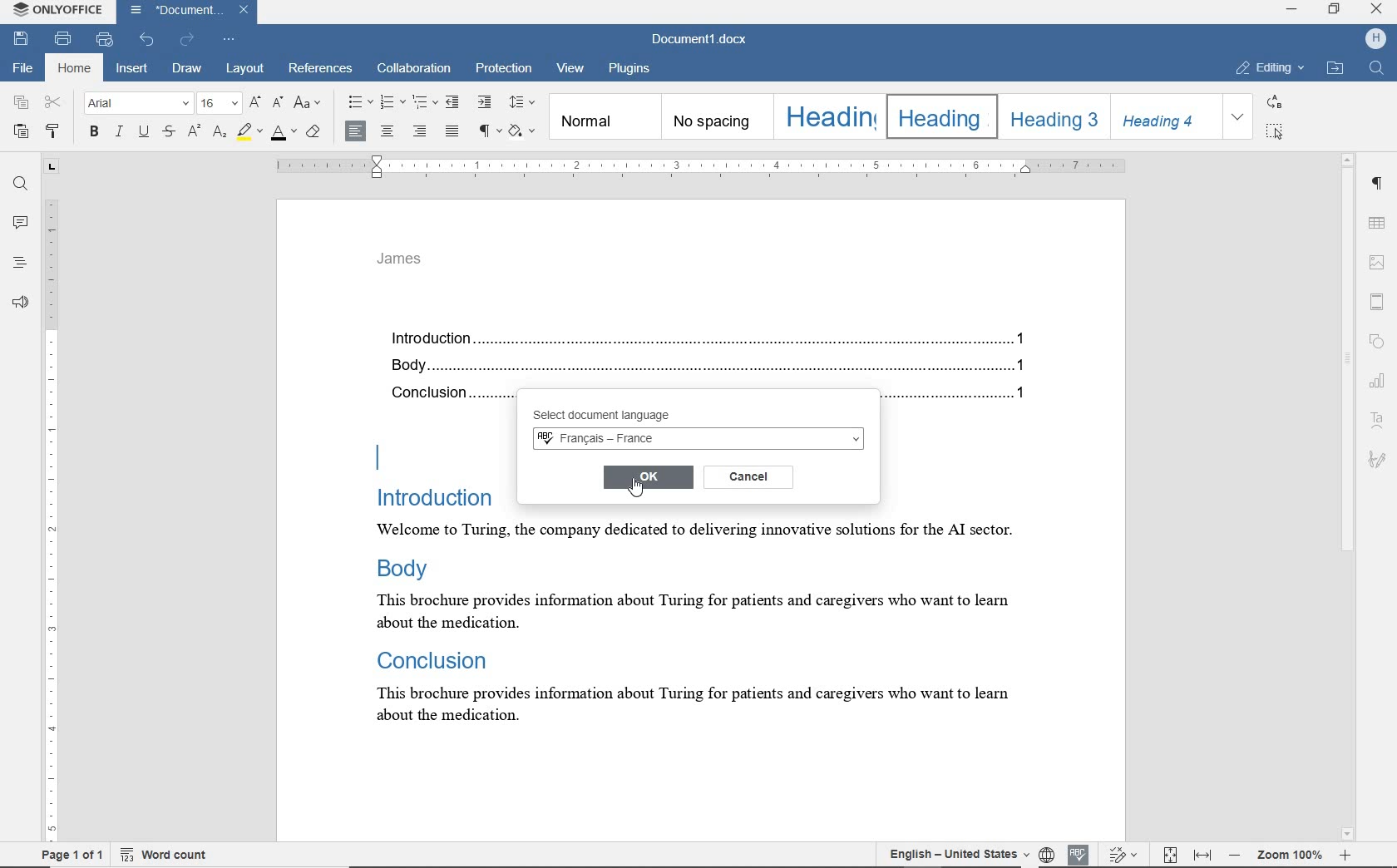 This screenshot has height=868, width=1397. What do you see at coordinates (1381, 378) in the screenshot?
I see `charts` at bounding box center [1381, 378].